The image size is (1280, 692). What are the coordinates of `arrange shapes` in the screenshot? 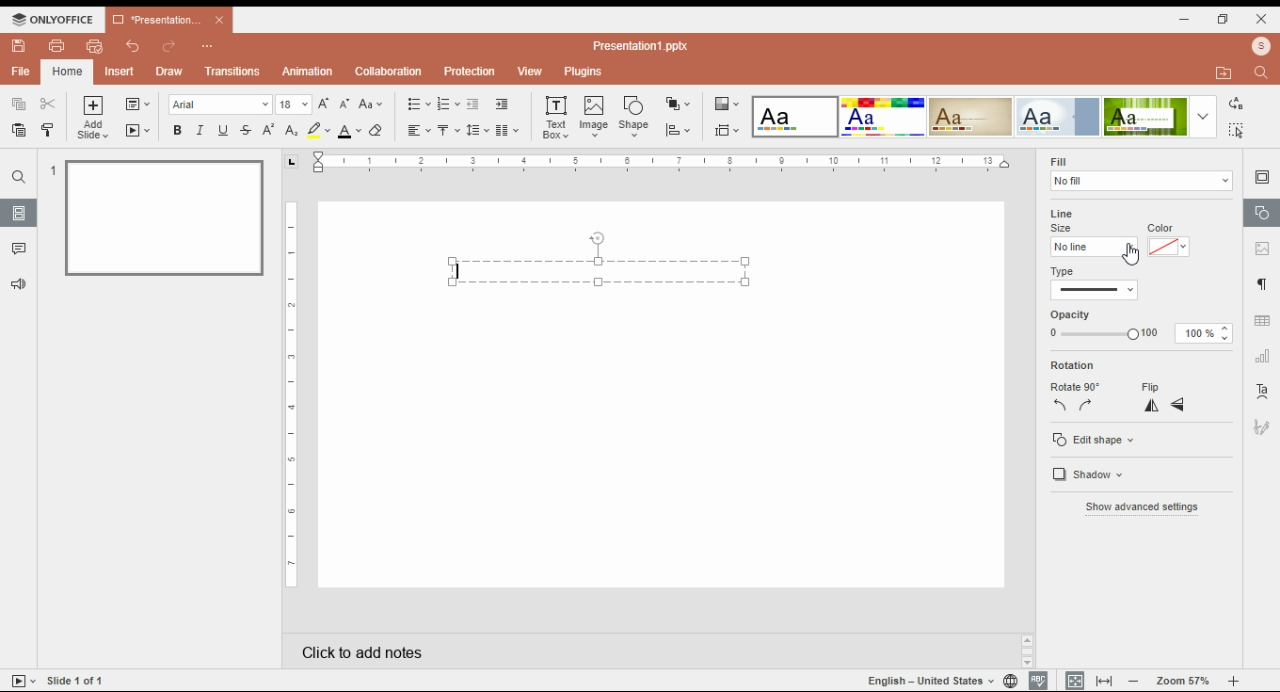 It's located at (679, 103).